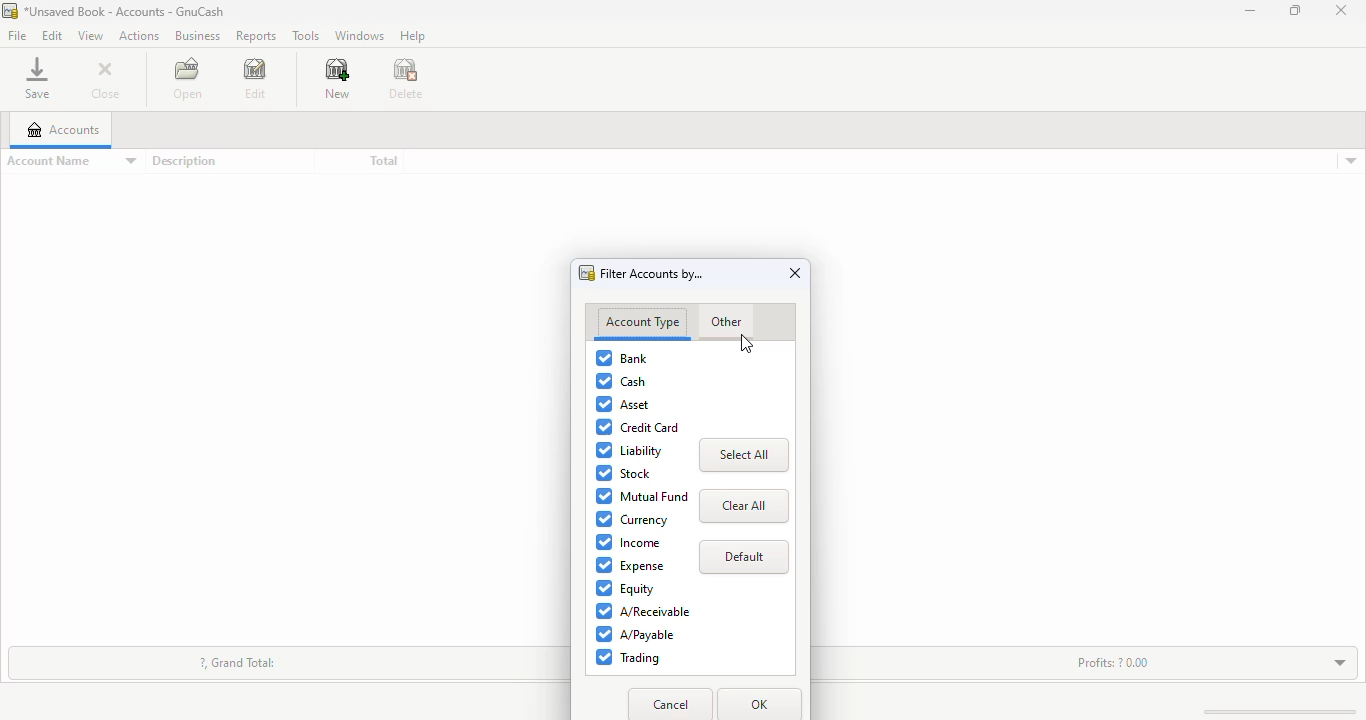 This screenshot has height=720, width=1366. I want to click on select all, so click(744, 455).